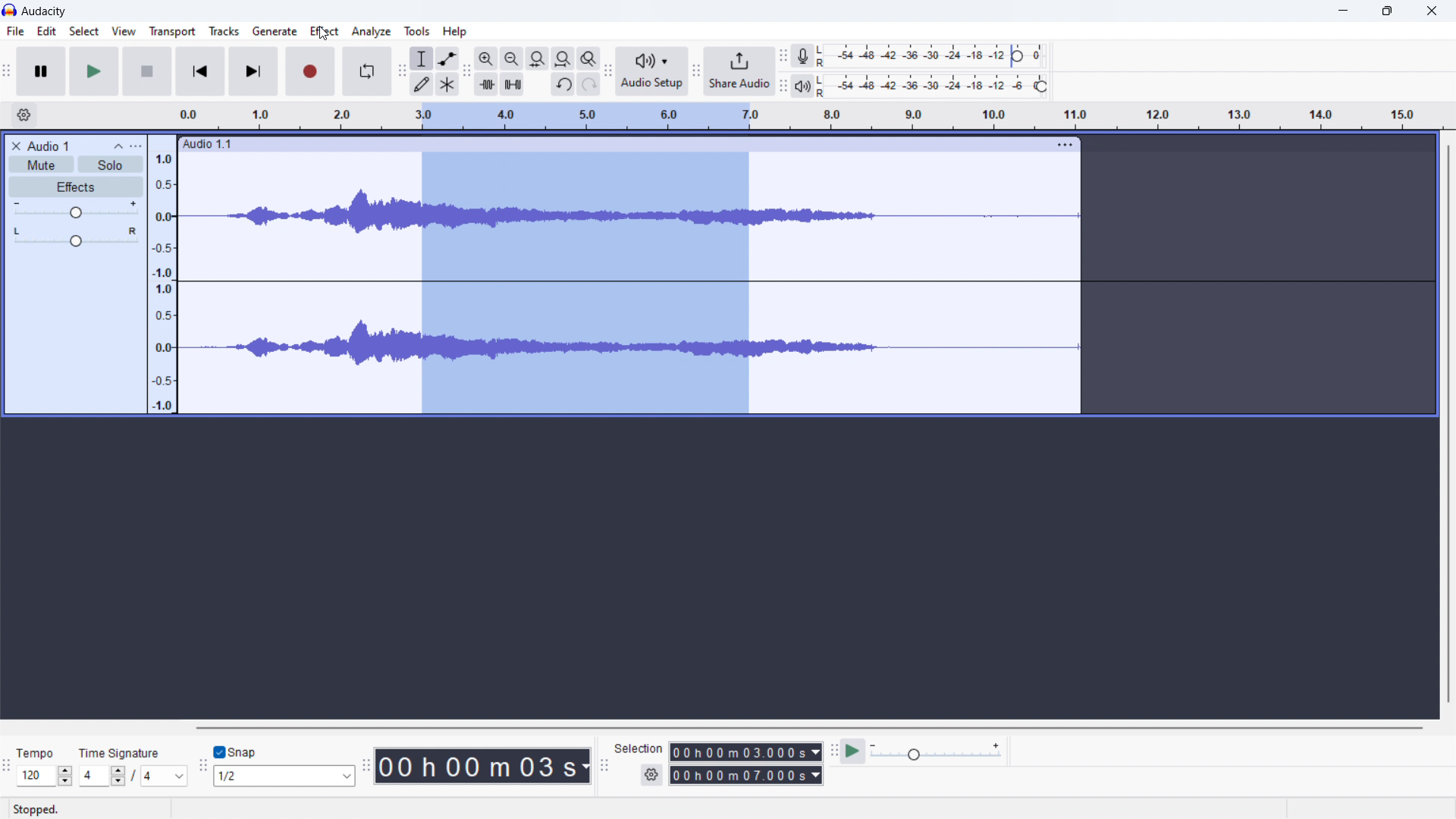 This screenshot has height=819, width=1456. I want to click on selection toolbar, so click(604, 766).